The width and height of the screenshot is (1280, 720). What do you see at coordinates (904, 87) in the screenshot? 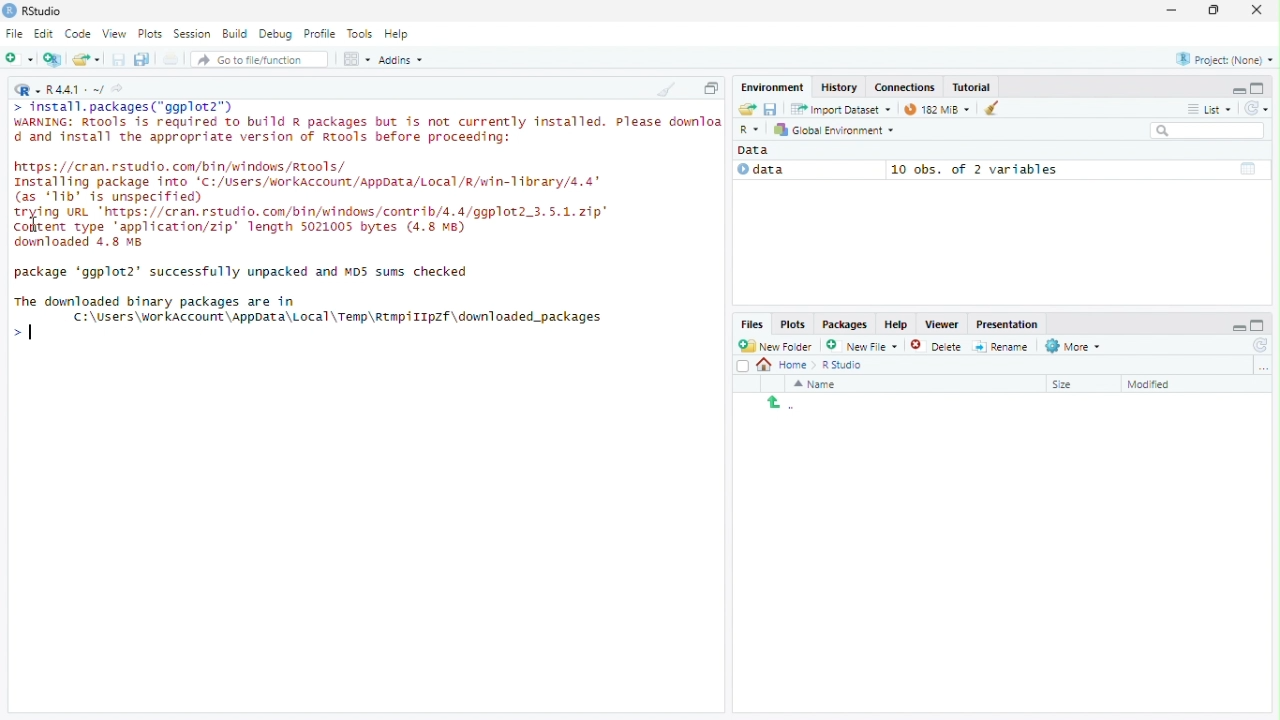
I see `Connections` at bounding box center [904, 87].